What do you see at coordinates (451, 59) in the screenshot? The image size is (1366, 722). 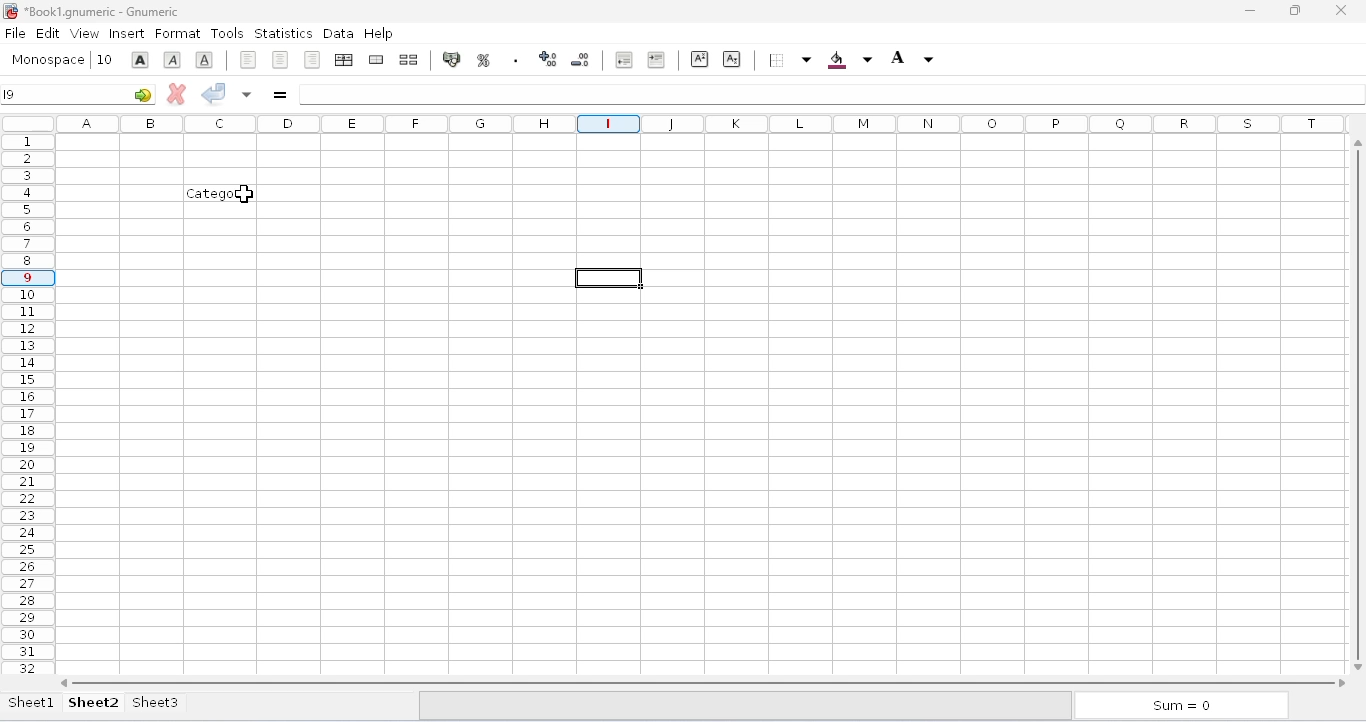 I see `format the selection as accounting` at bounding box center [451, 59].